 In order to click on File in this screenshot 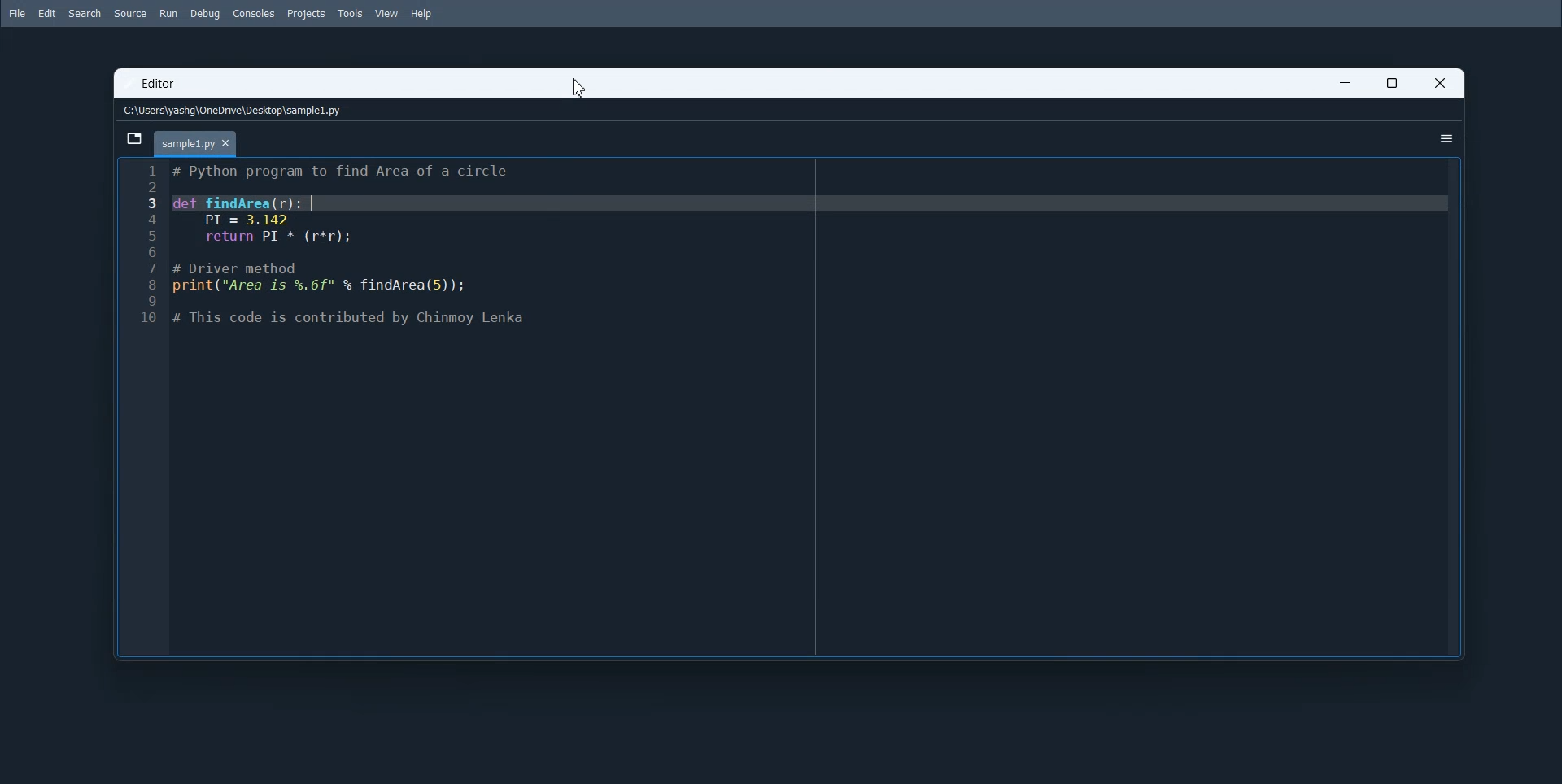, I will do `click(15, 13)`.